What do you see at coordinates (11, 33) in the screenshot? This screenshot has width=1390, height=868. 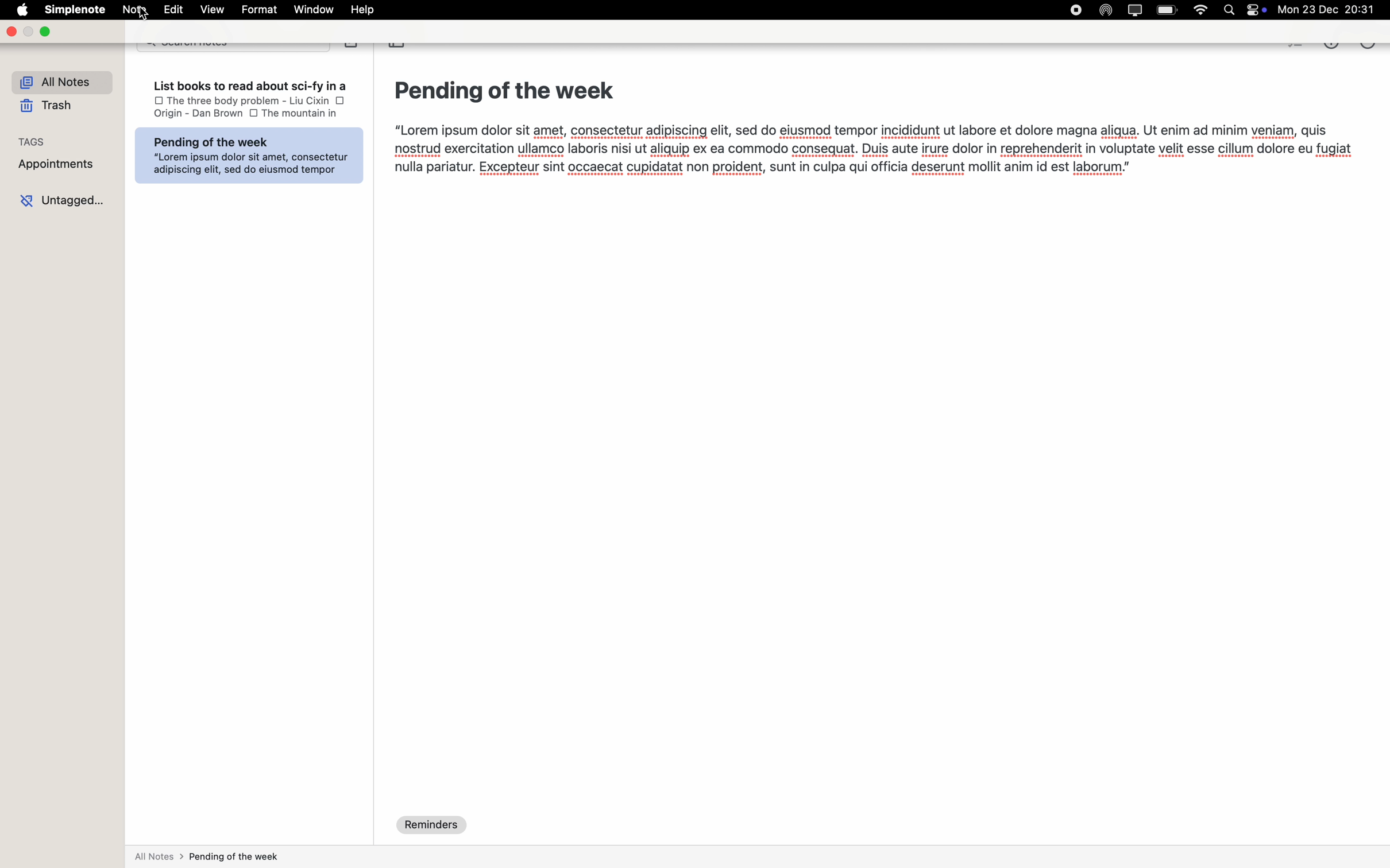 I see `close Simplenote` at bounding box center [11, 33].